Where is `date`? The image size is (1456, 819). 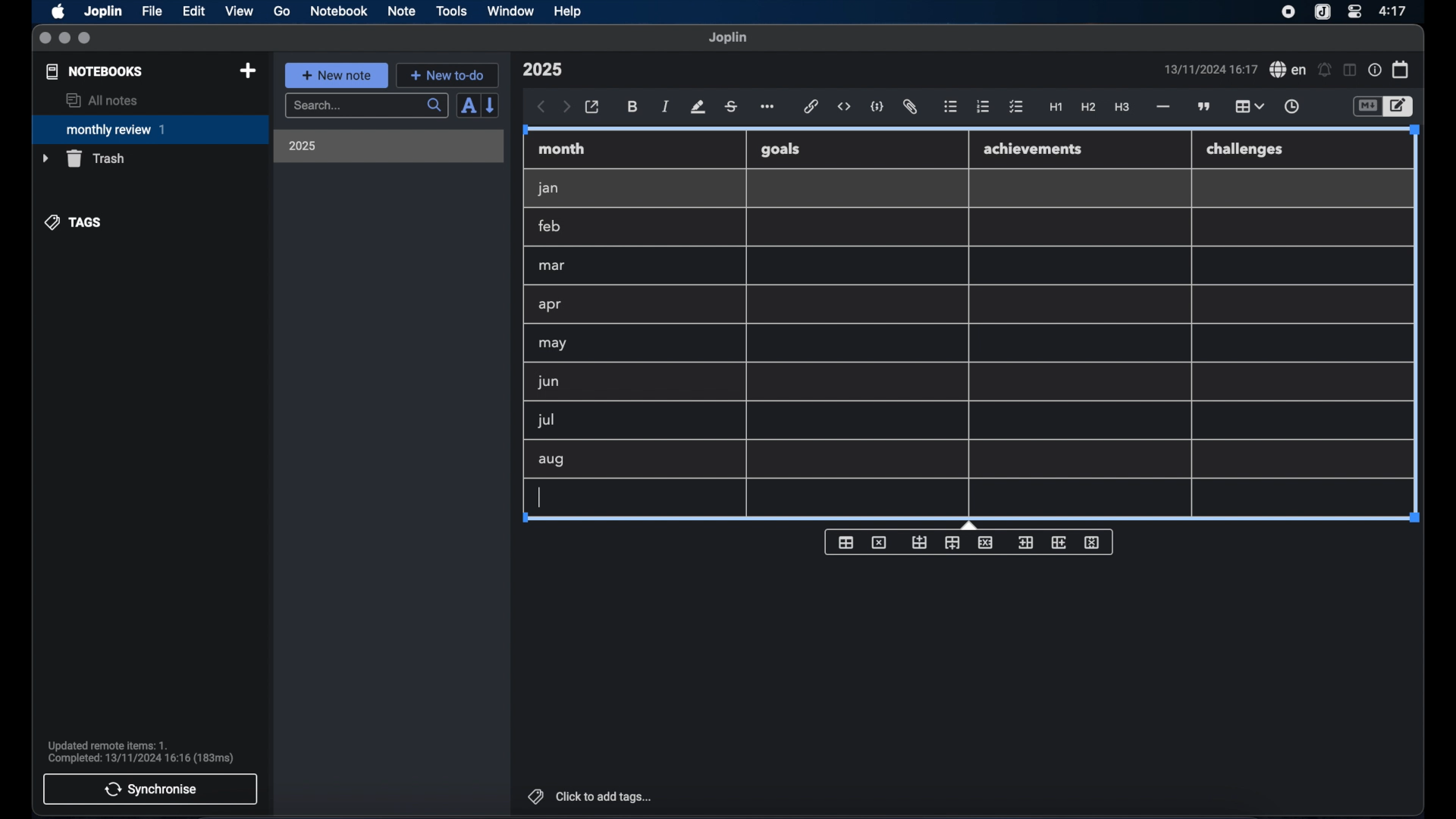
date is located at coordinates (1210, 69).